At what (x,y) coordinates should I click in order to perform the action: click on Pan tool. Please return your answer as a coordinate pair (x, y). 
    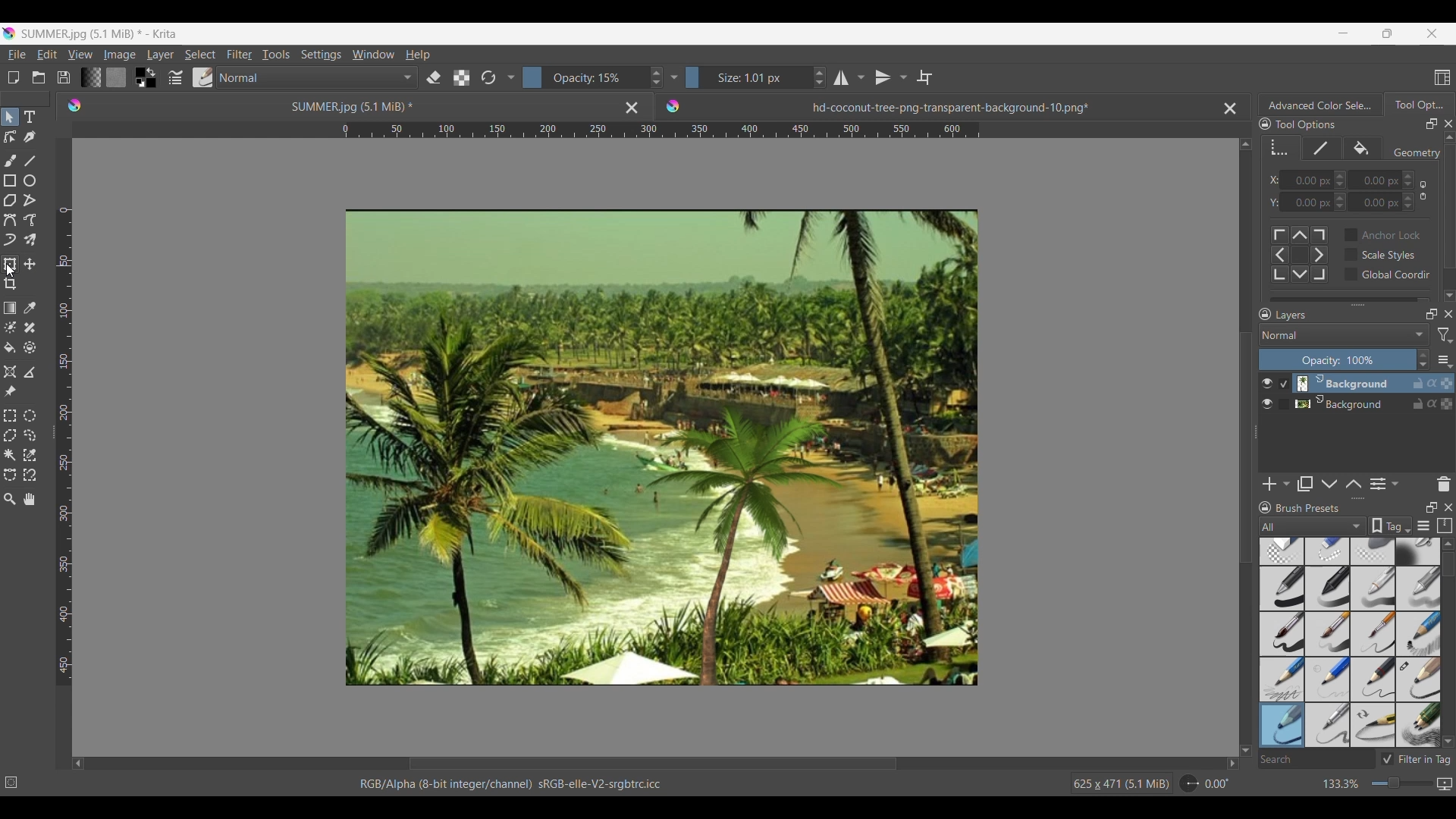
    Looking at the image, I should click on (30, 499).